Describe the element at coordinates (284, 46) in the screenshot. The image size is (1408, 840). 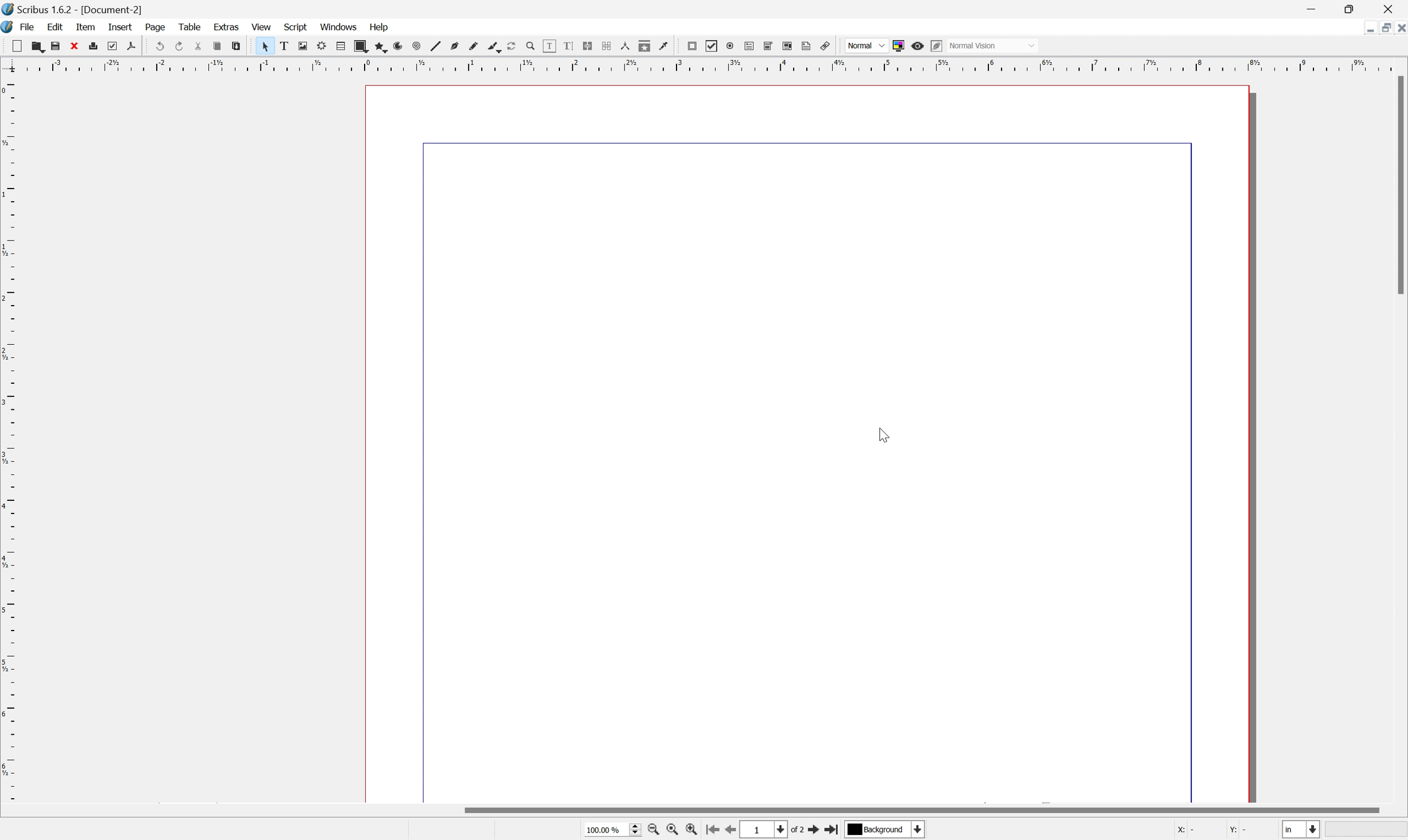
I see `Text frame` at that location.